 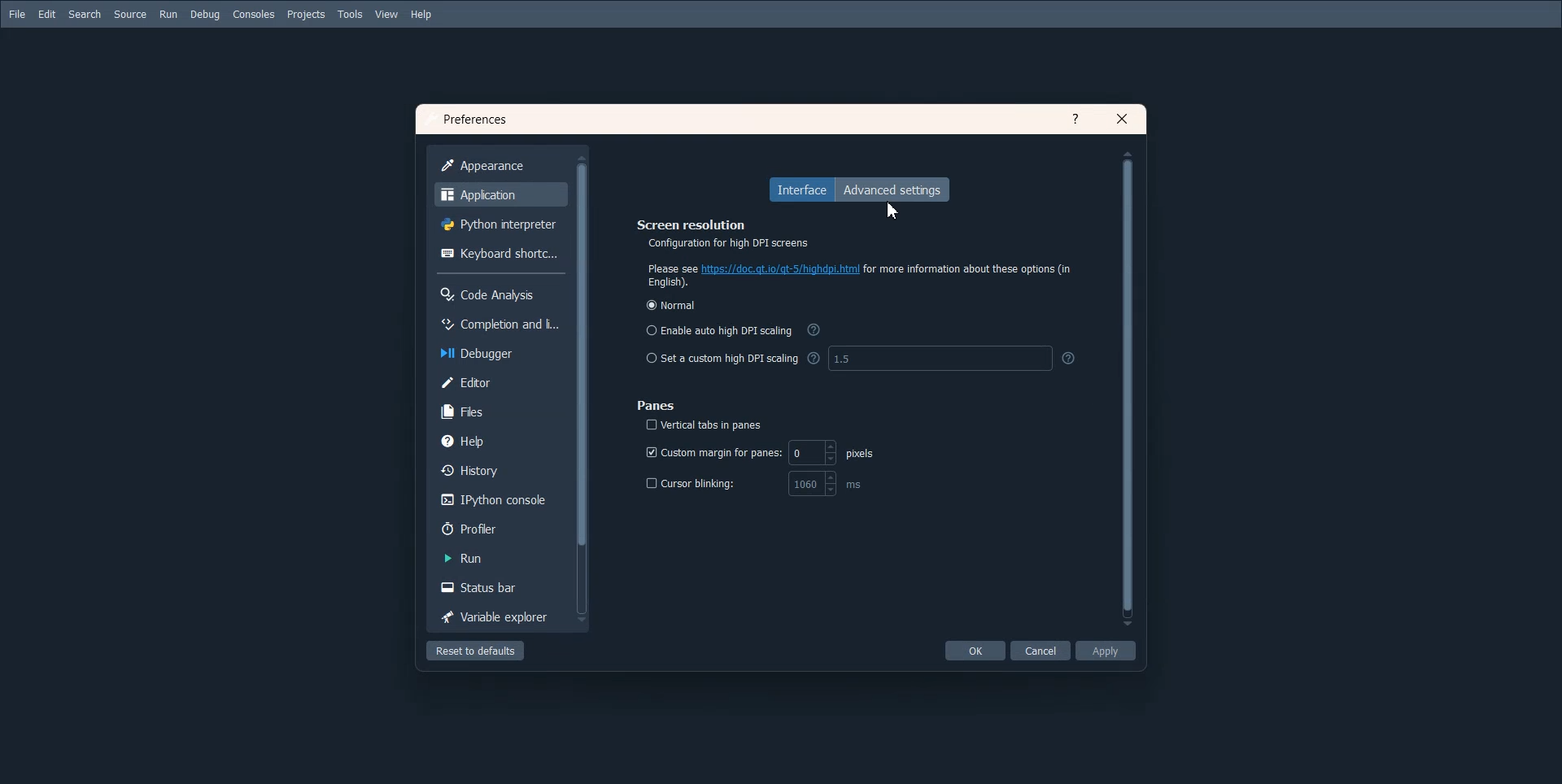 What do you see at coordinates (840, 232) in the screenshot?
I see `Screen Resolution` at bounding box center [840, 232].